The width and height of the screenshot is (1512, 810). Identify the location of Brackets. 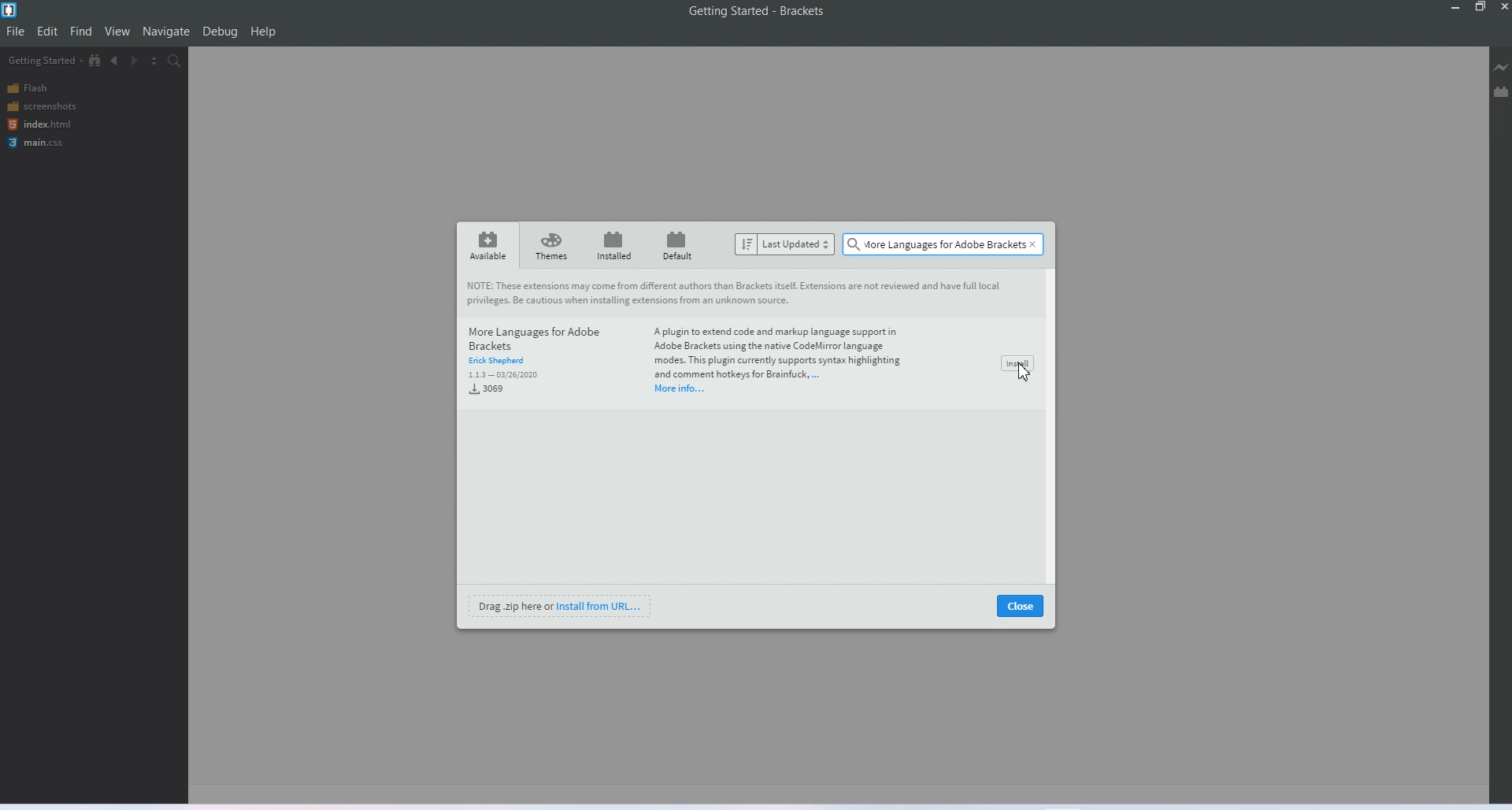
(802, 10).